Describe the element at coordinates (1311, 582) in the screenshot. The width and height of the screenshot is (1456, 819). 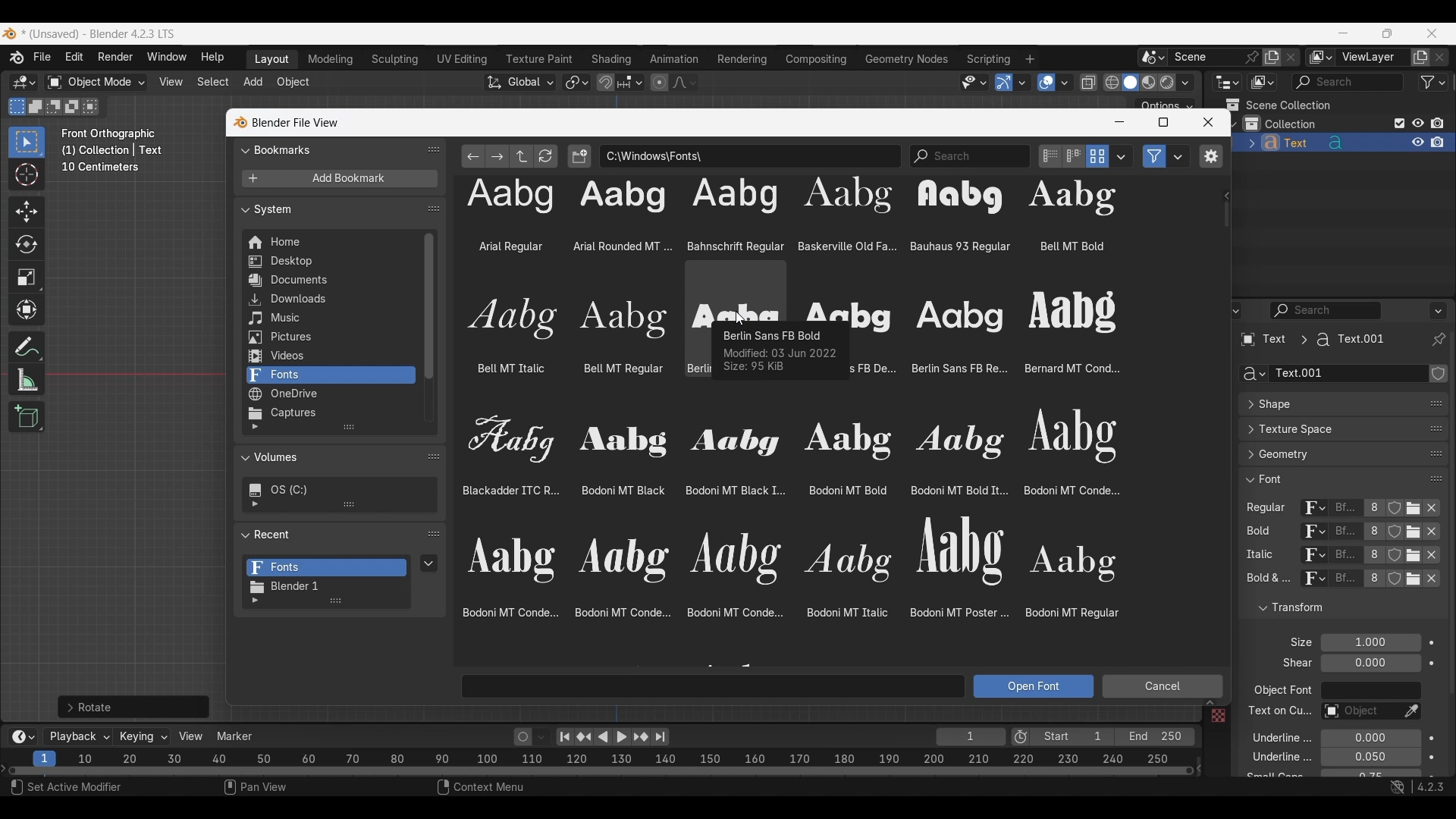
I see `Browse ID data` at that location.